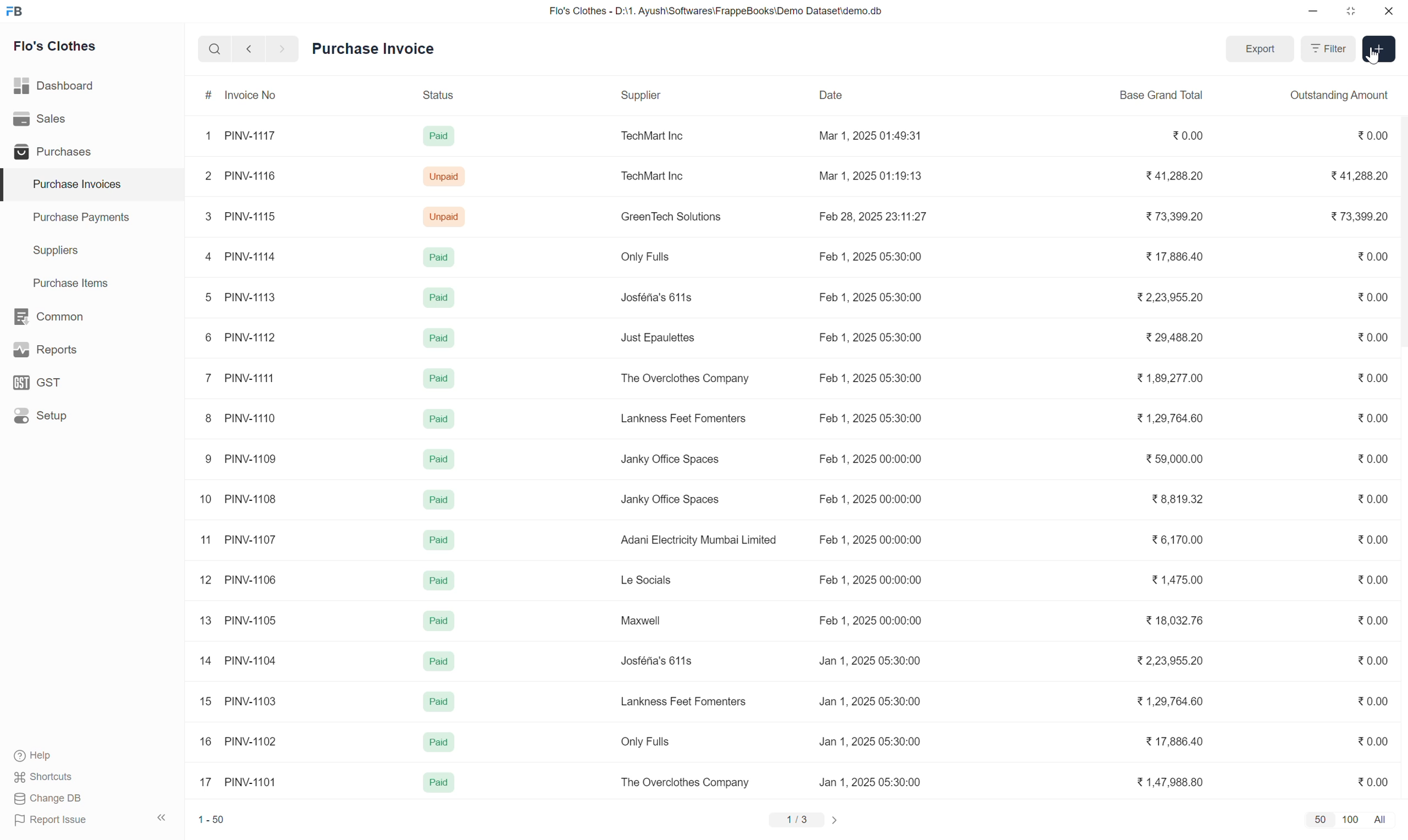 The width and height of the screenshot is (1408, 840). I want to click on All, so click(1382, 820).